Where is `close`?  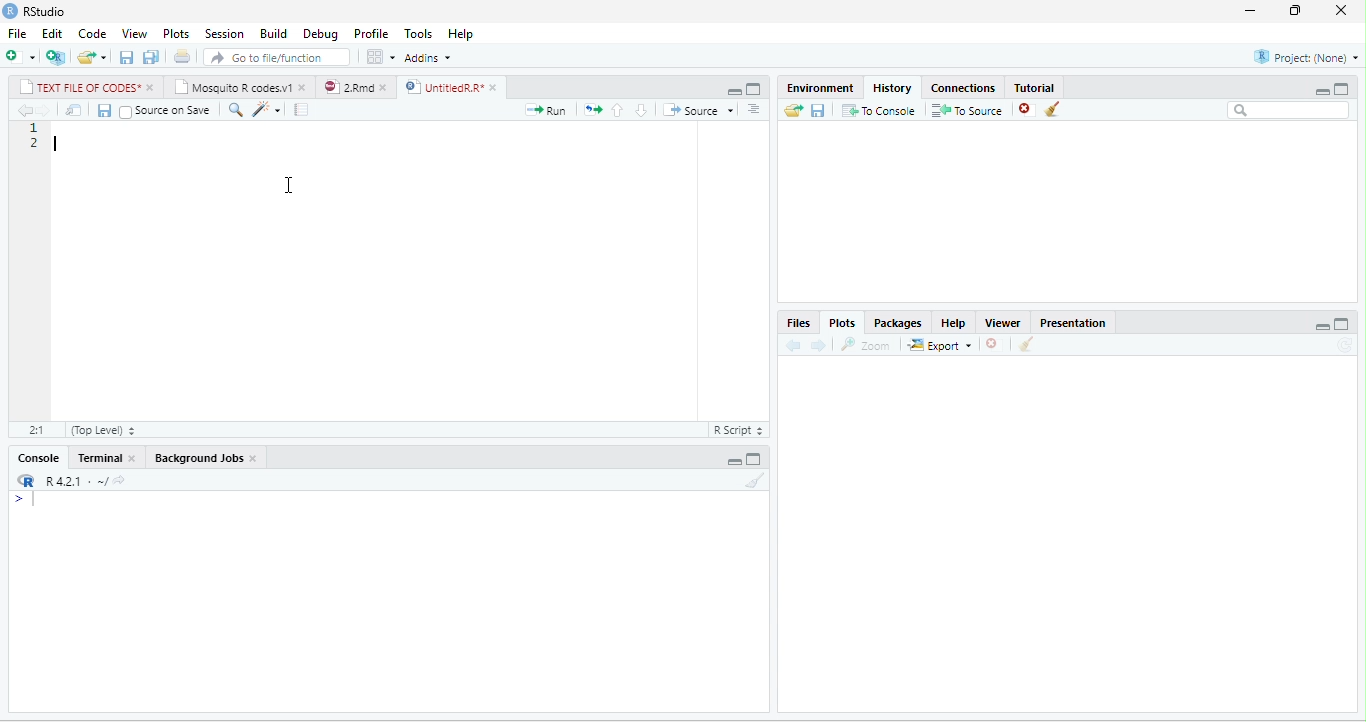 close is located at coordinates (134, 457).